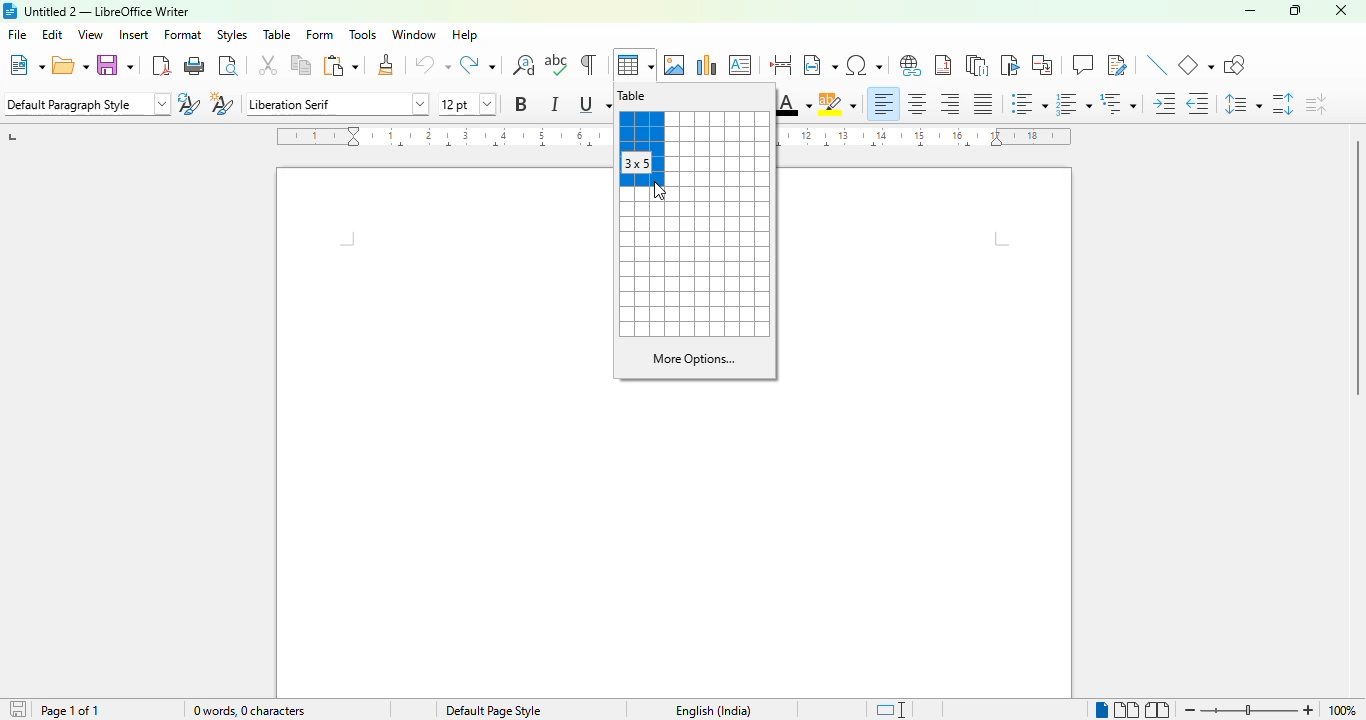 This screenshot has width=1366, height=720. Describe the element at coordinates (134, 34) in the screenshot. I see `insert` at that location.